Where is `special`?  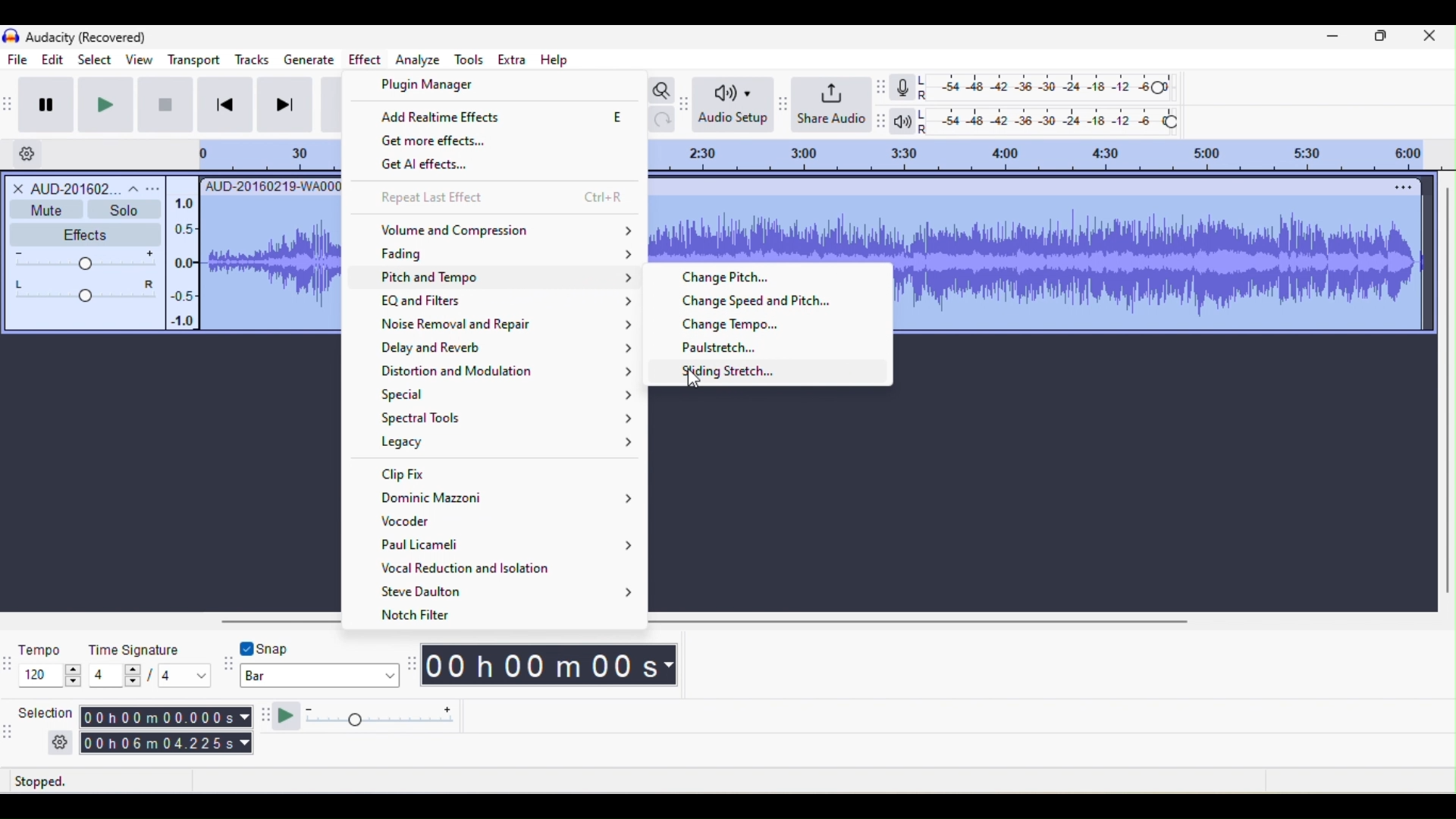
special is located at coordinates (511, 395).